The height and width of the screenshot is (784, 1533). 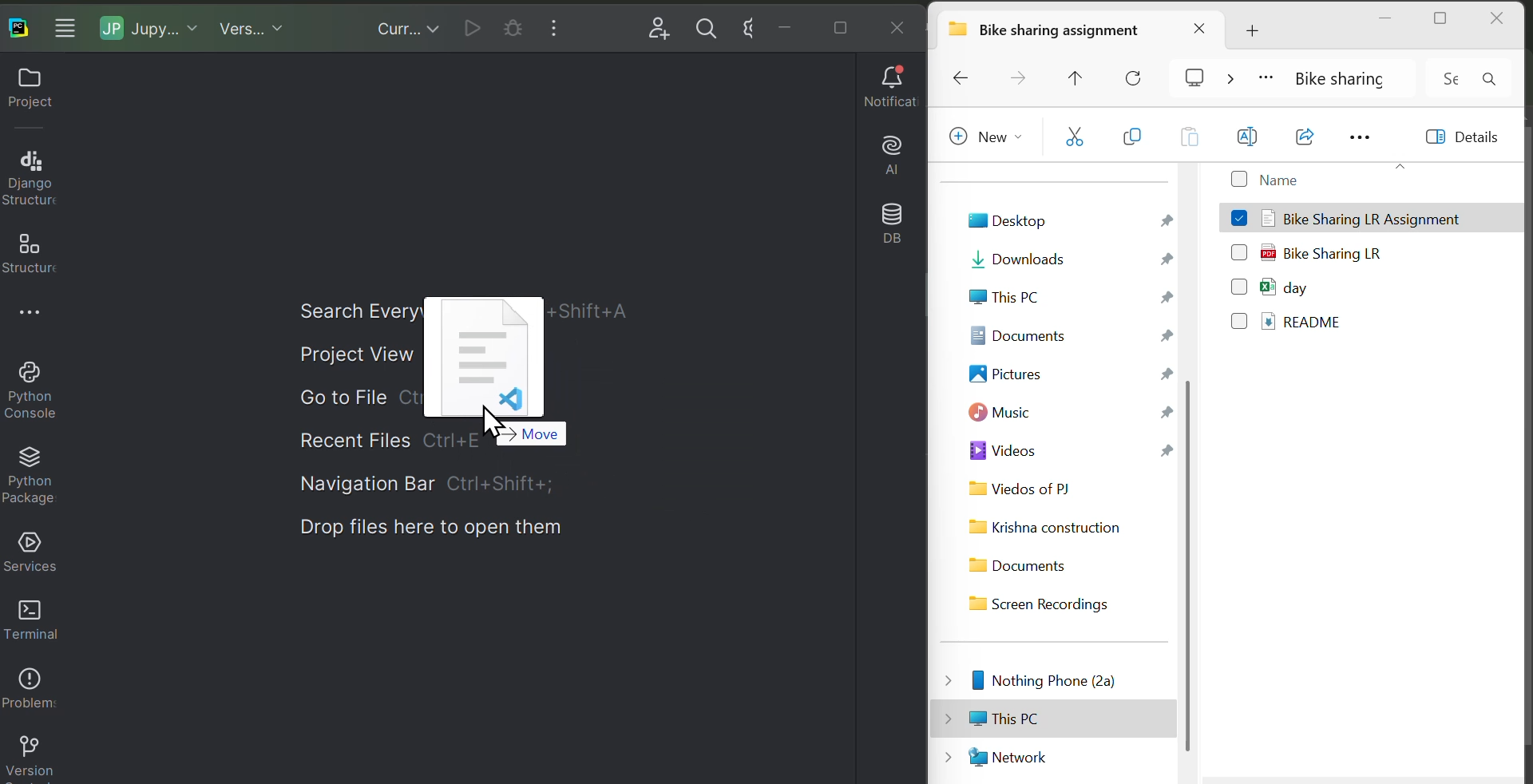 I want to click on Python packages, so click(x=28, y=477).